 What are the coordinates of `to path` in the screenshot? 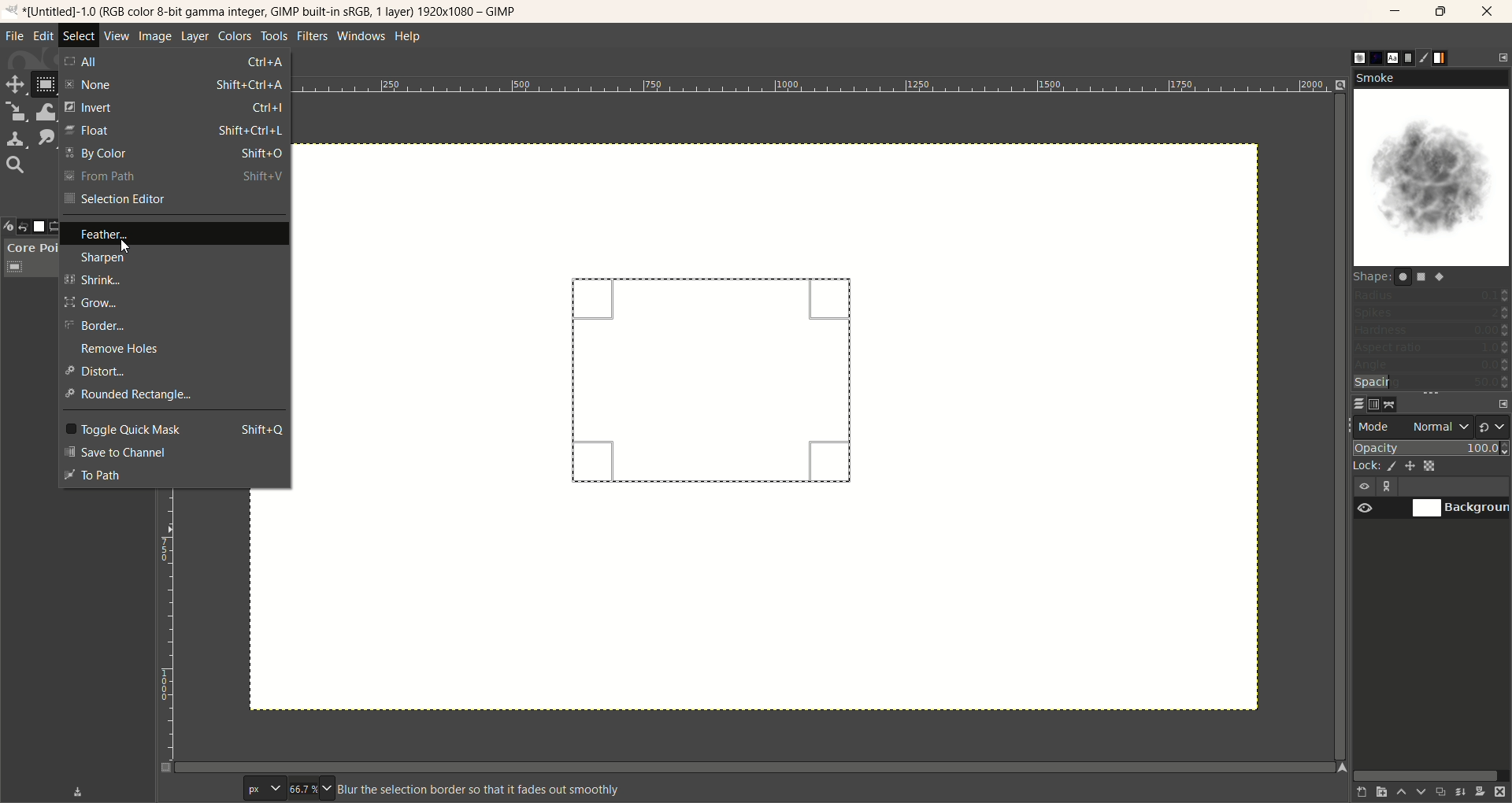 It's located at (170, 475).